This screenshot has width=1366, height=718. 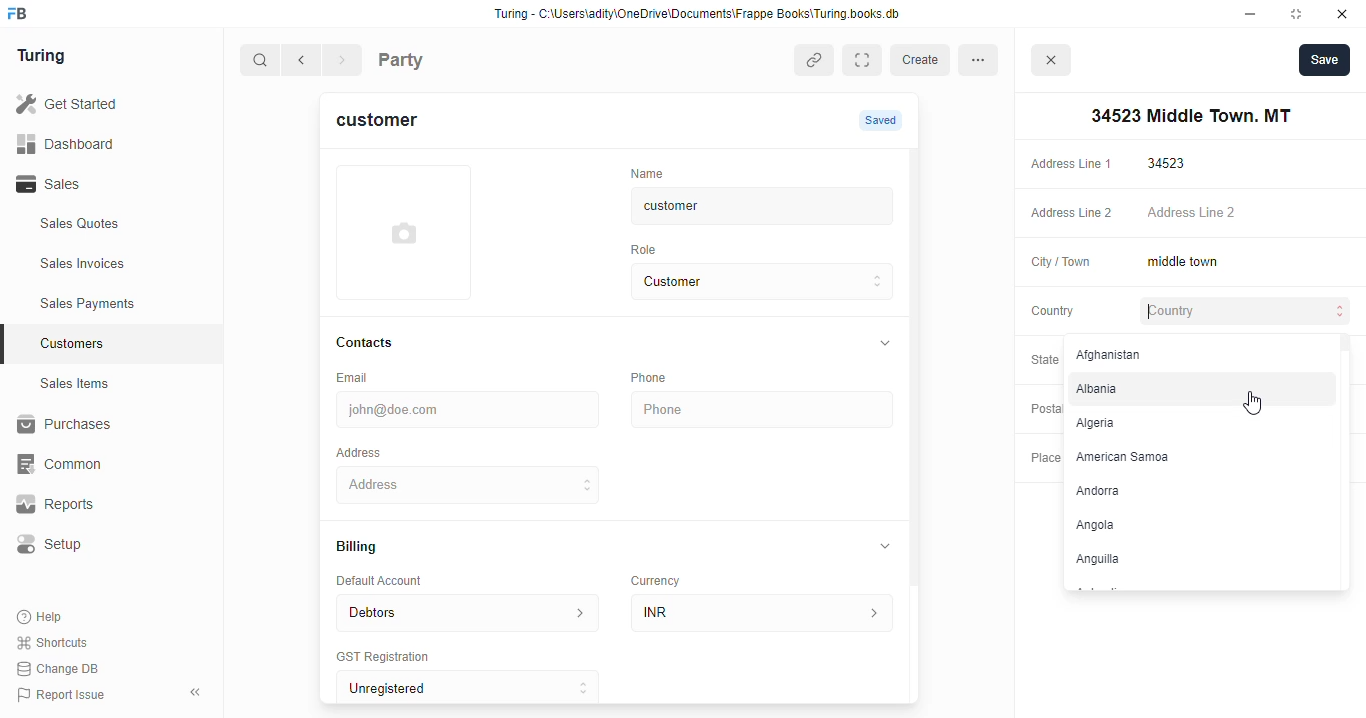 I want to click on Get Started, so click(x=93, y=105).